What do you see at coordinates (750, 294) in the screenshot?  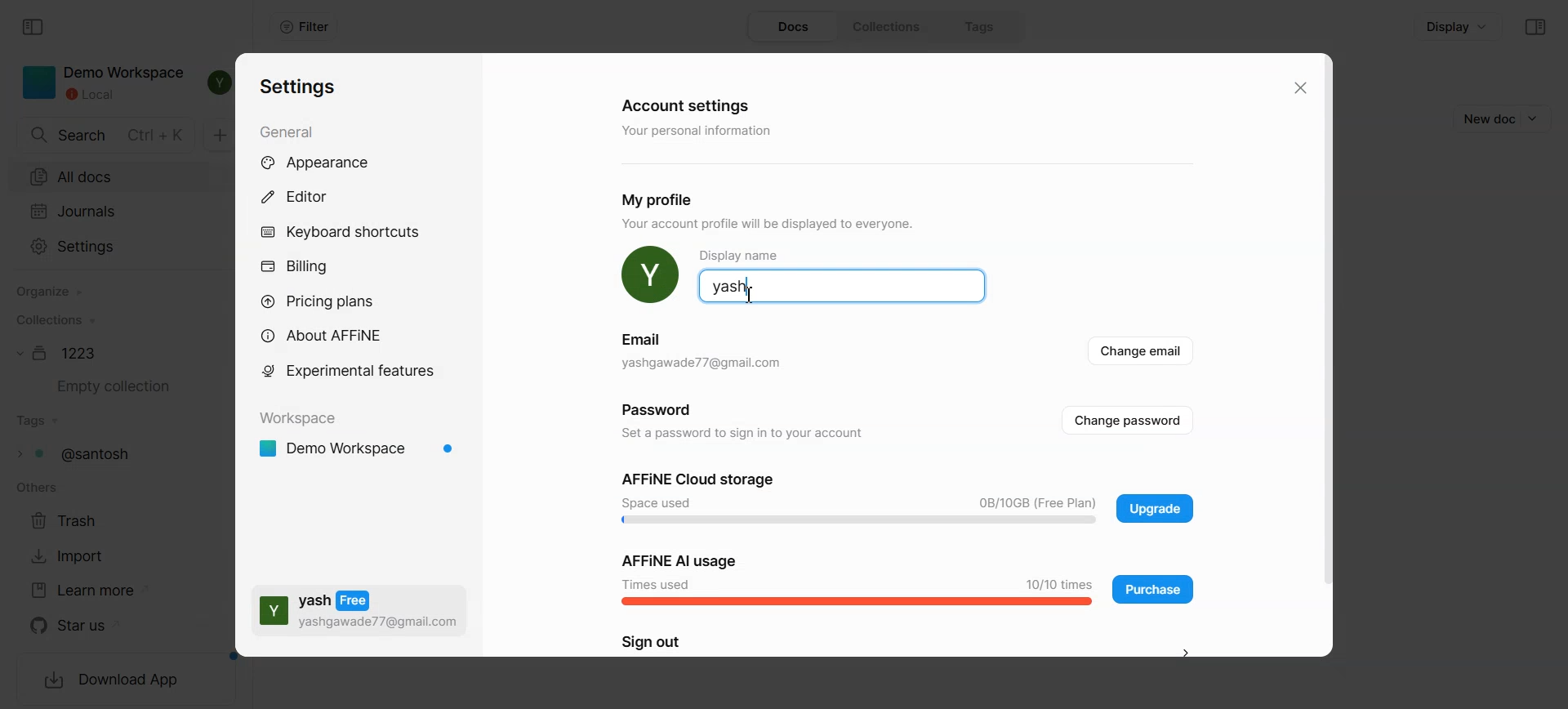 I see `Text cursor` at bounding box center [750, 294].